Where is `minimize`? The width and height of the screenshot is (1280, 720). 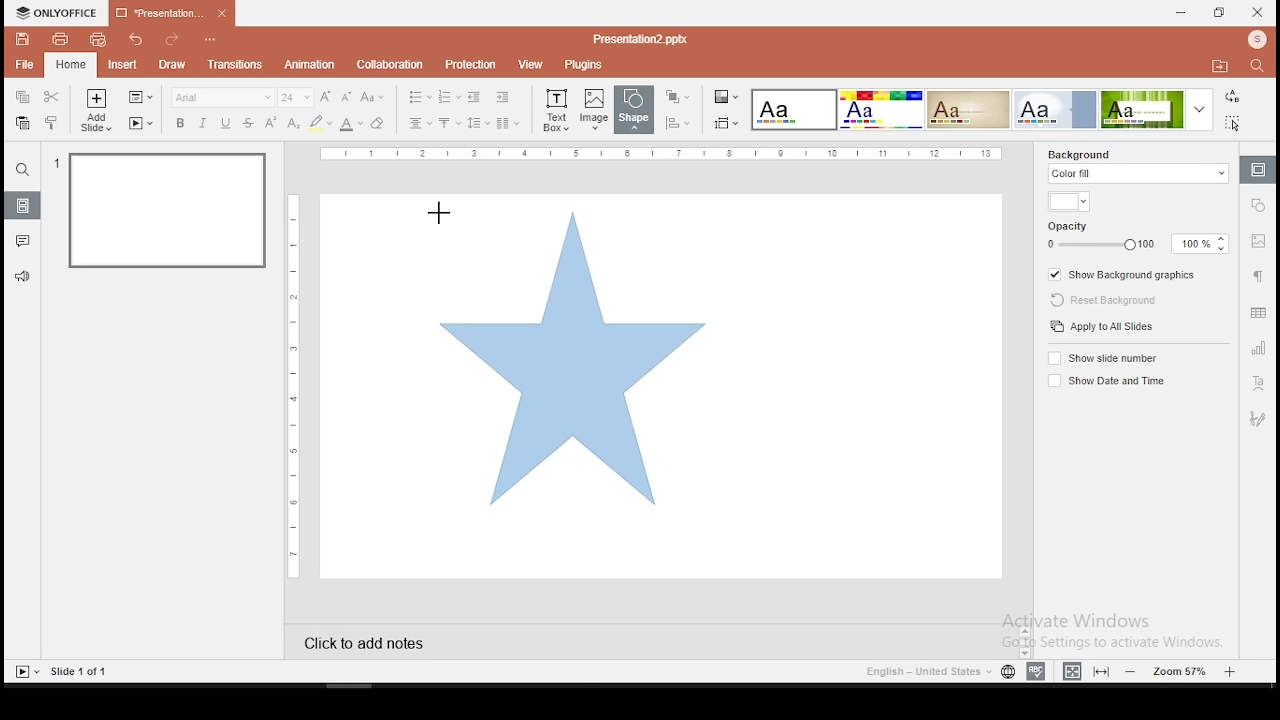
minimize is located at coordinates (1182, 14).